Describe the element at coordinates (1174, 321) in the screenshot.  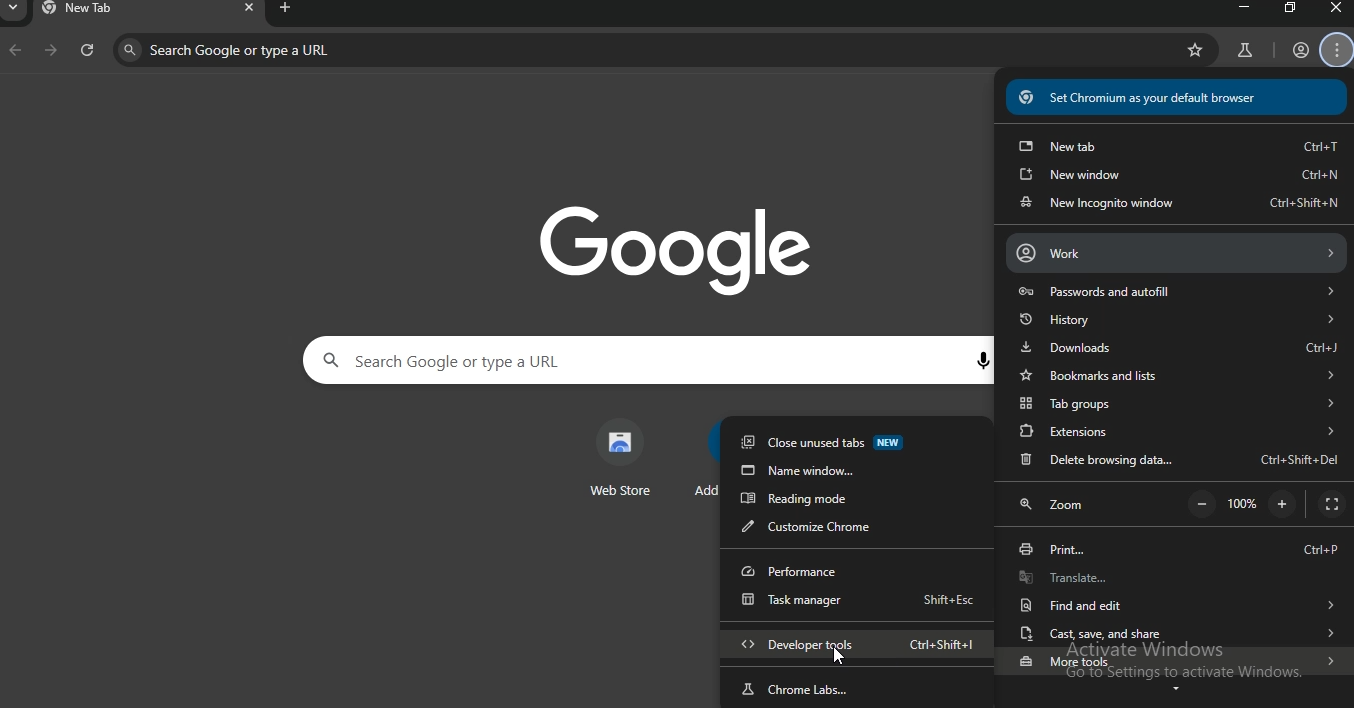
I see `history` at that location.